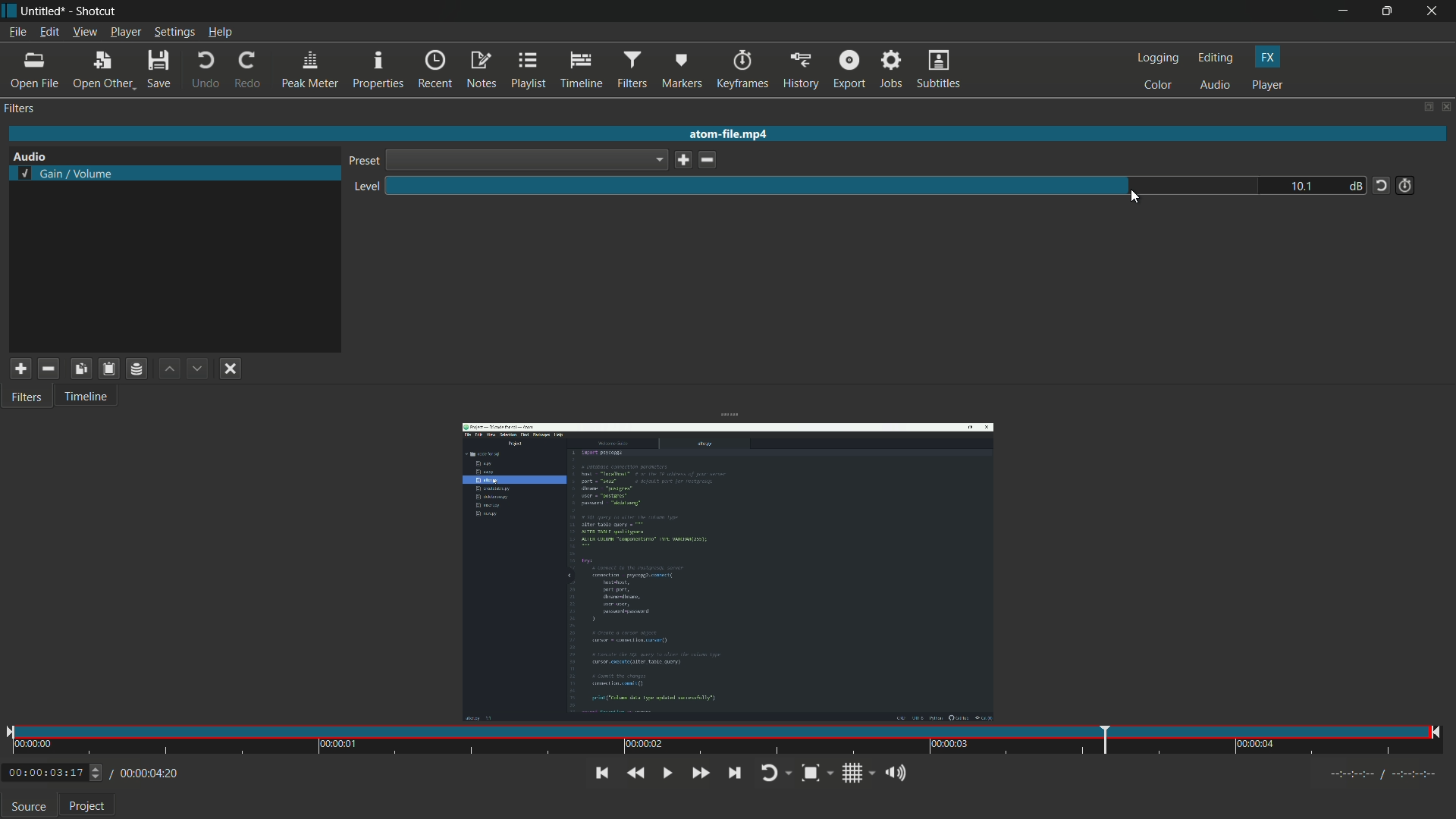 This screenshot has width=1456, height=819. I want to click on Untitled (file name), so click(44, 11).